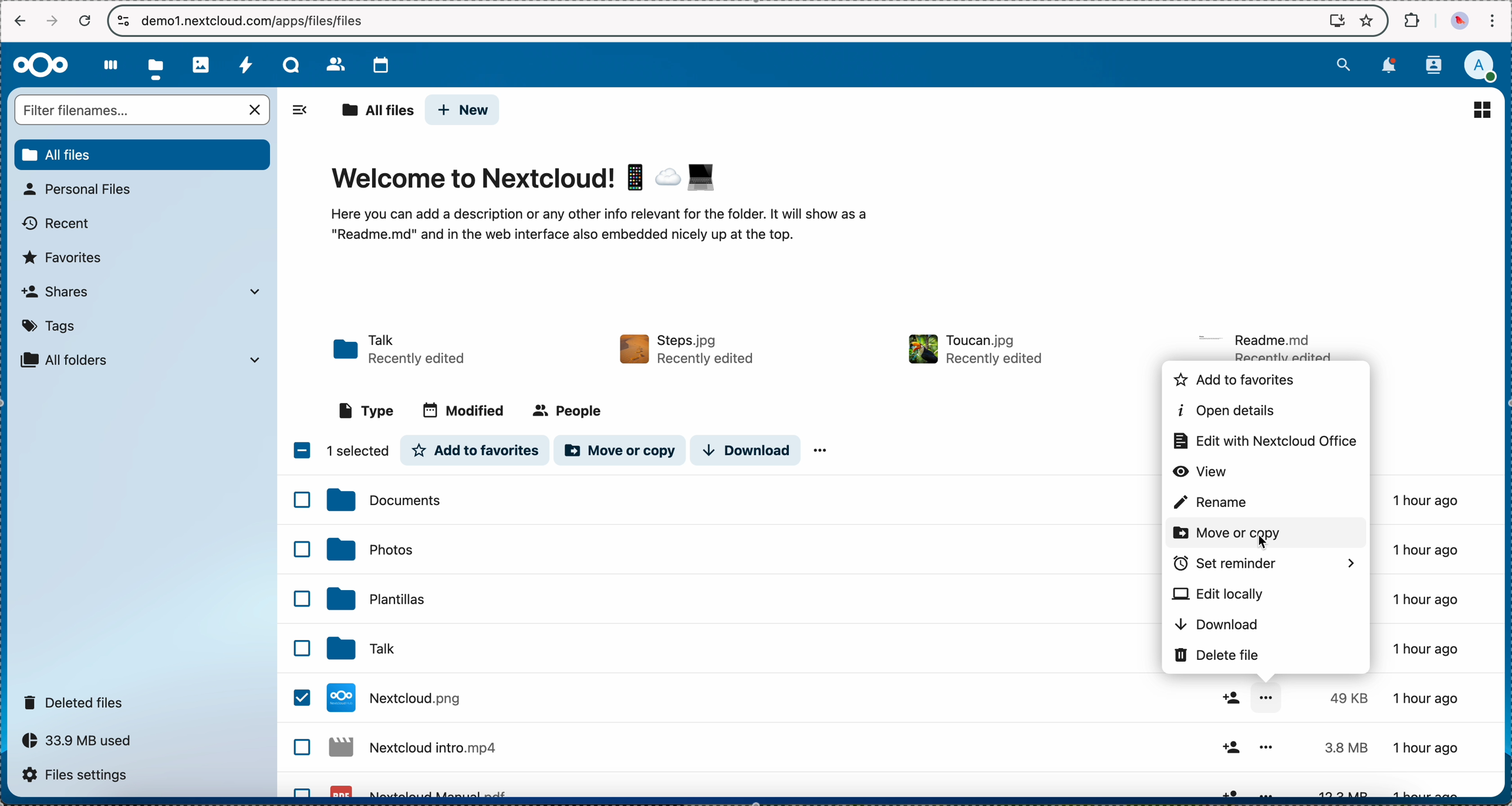 This screenshot has height=806, width=1512. What do you see at coordinates (1365, 20) in the screenshot?
I see `favorites` at bounding box center [1365, 20].